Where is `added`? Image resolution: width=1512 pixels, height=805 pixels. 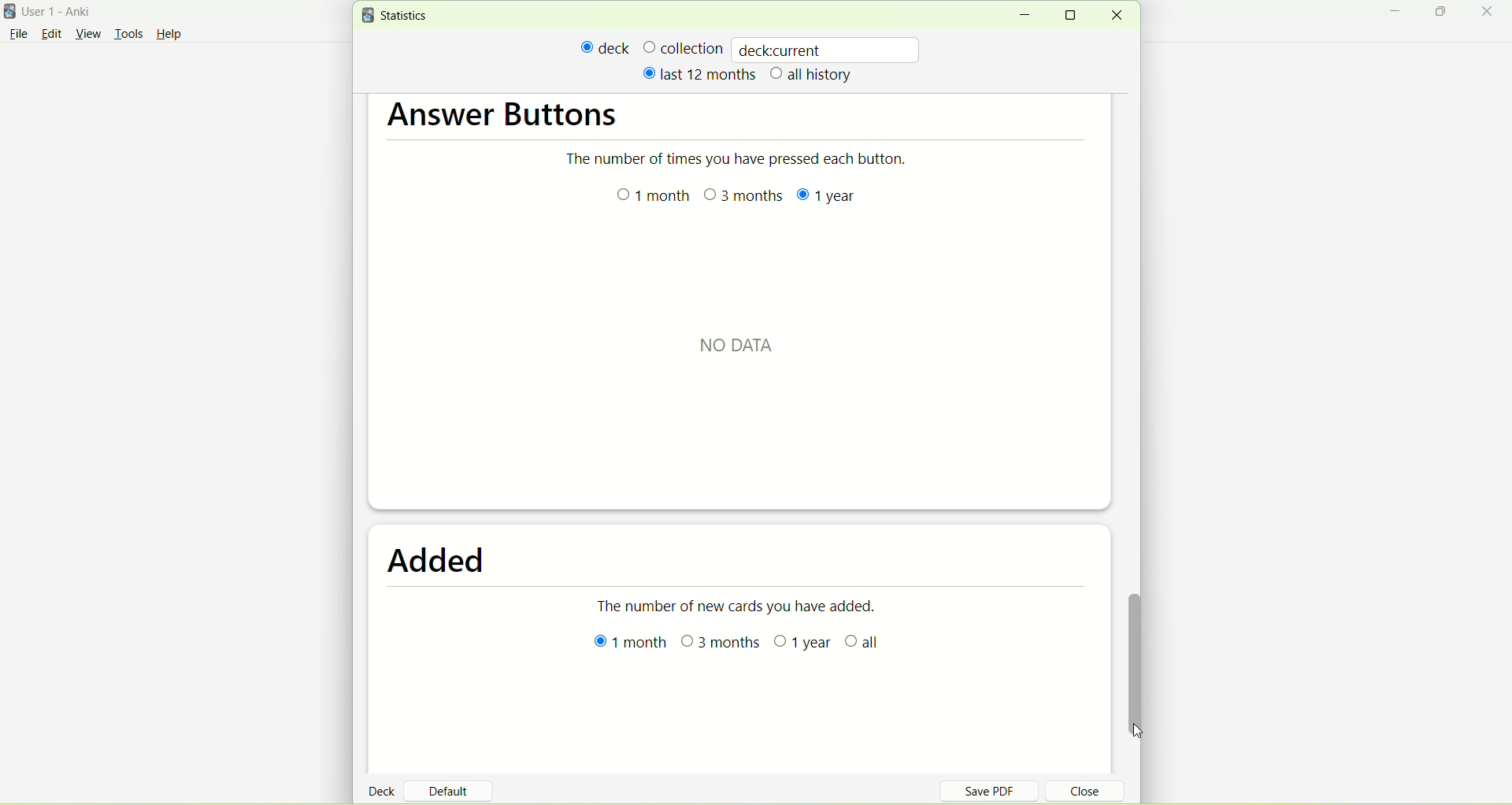
added is located at coordinates (448, 562).